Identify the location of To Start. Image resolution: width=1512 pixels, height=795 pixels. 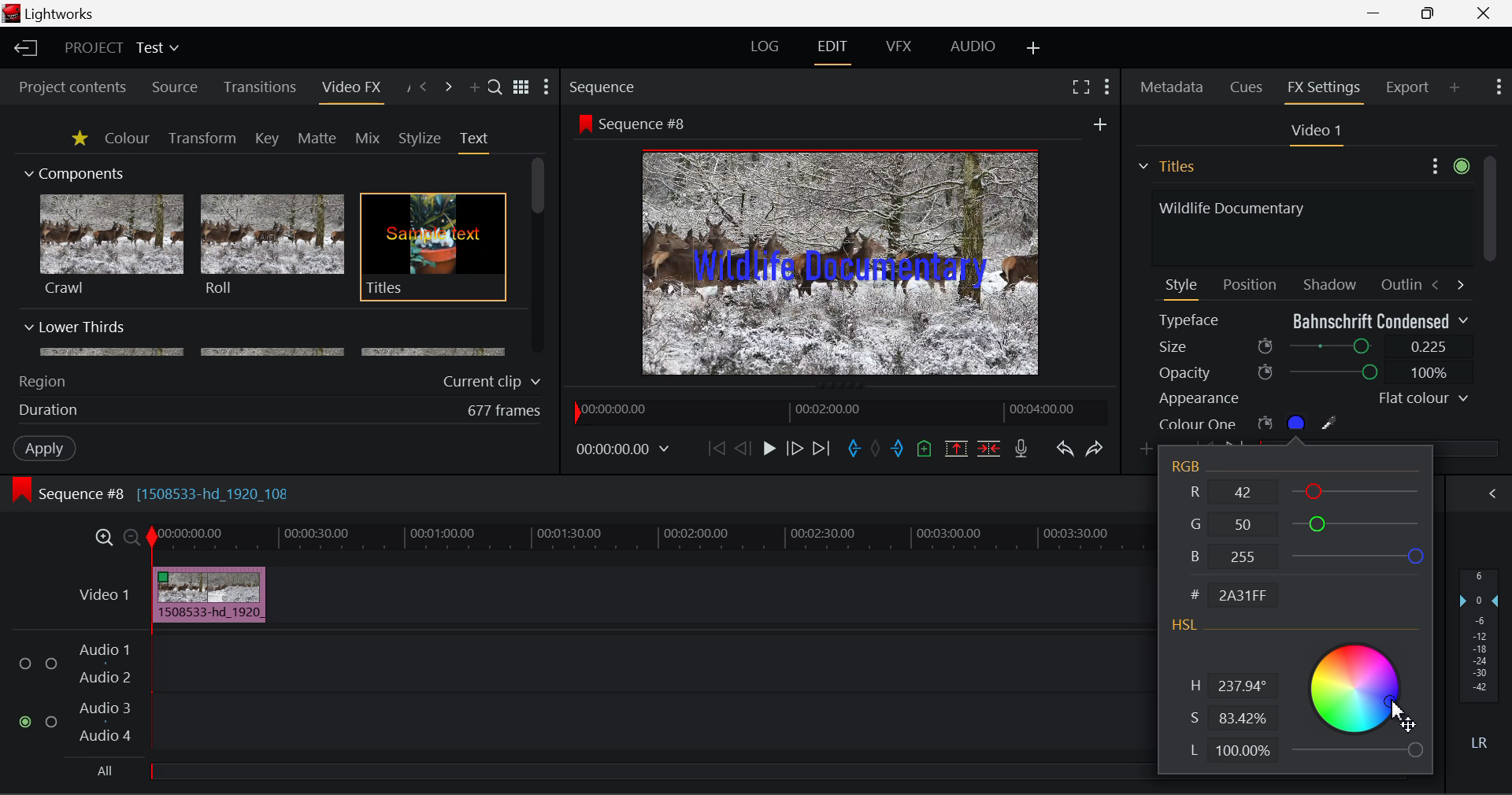
(717, 449).